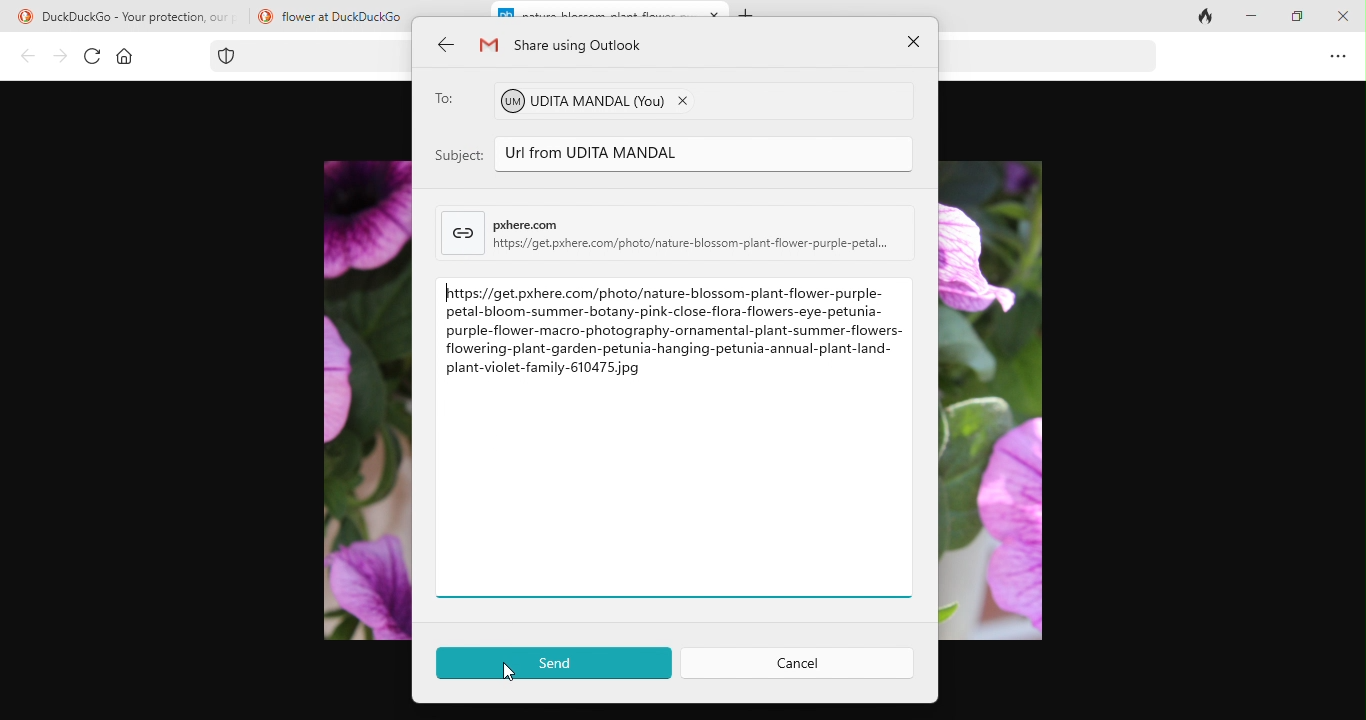  I want to click on cursor movement, so click(514, 672).